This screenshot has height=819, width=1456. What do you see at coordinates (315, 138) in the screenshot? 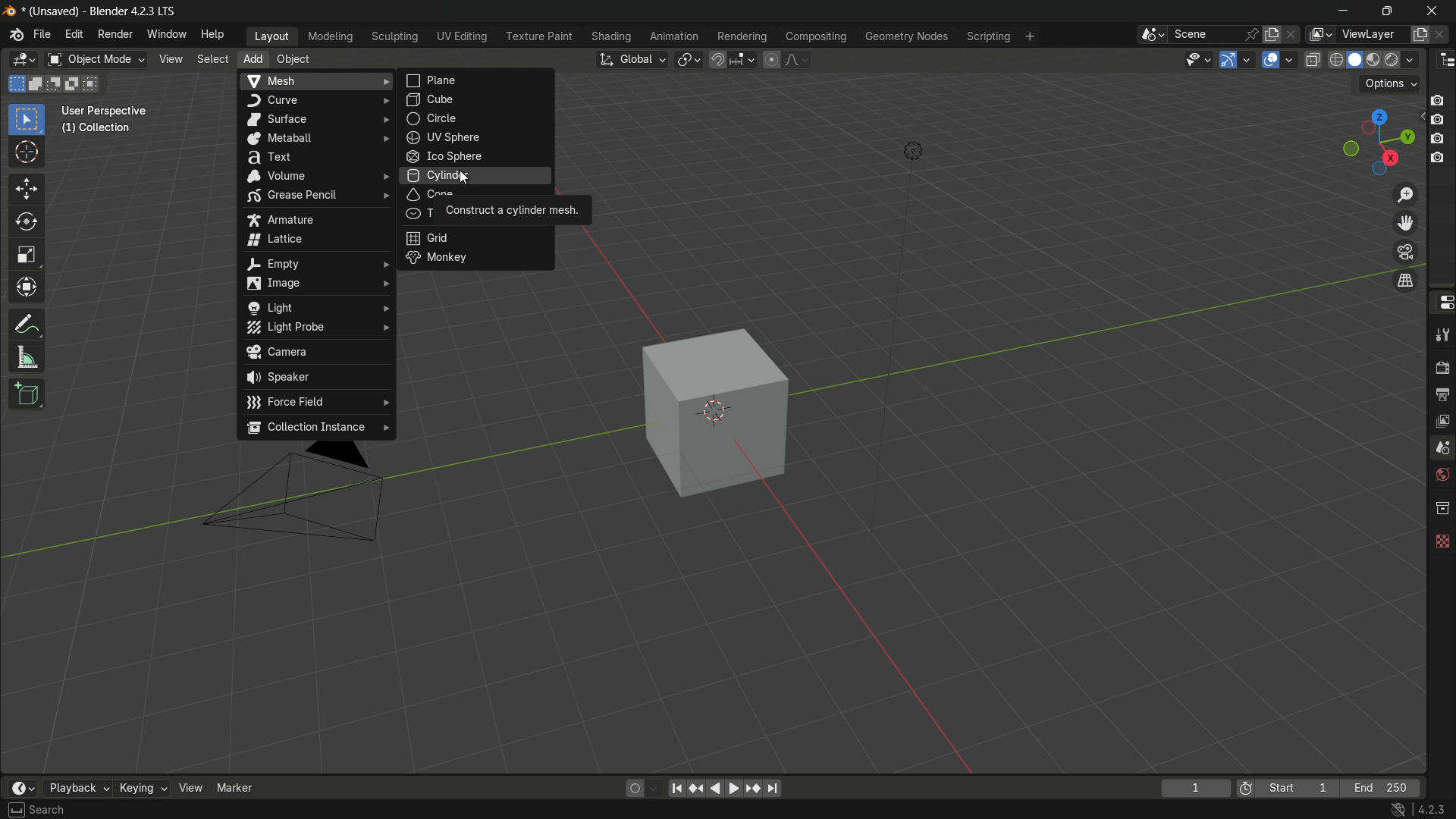
I see `metaball` at bounding box center [315, 138].